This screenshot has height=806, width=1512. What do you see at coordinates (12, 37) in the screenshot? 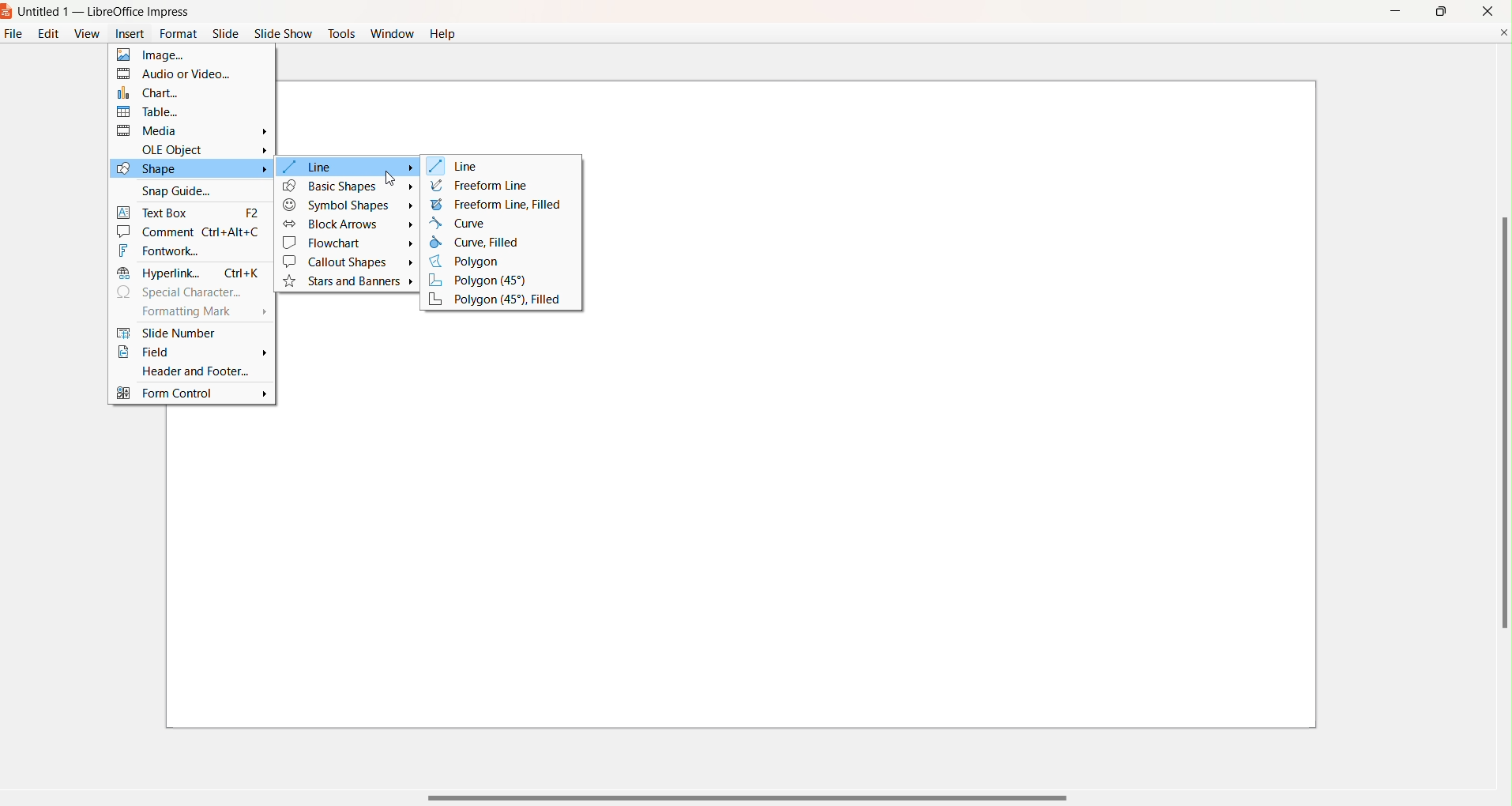
I see `File` at bounding box center [12, 37].